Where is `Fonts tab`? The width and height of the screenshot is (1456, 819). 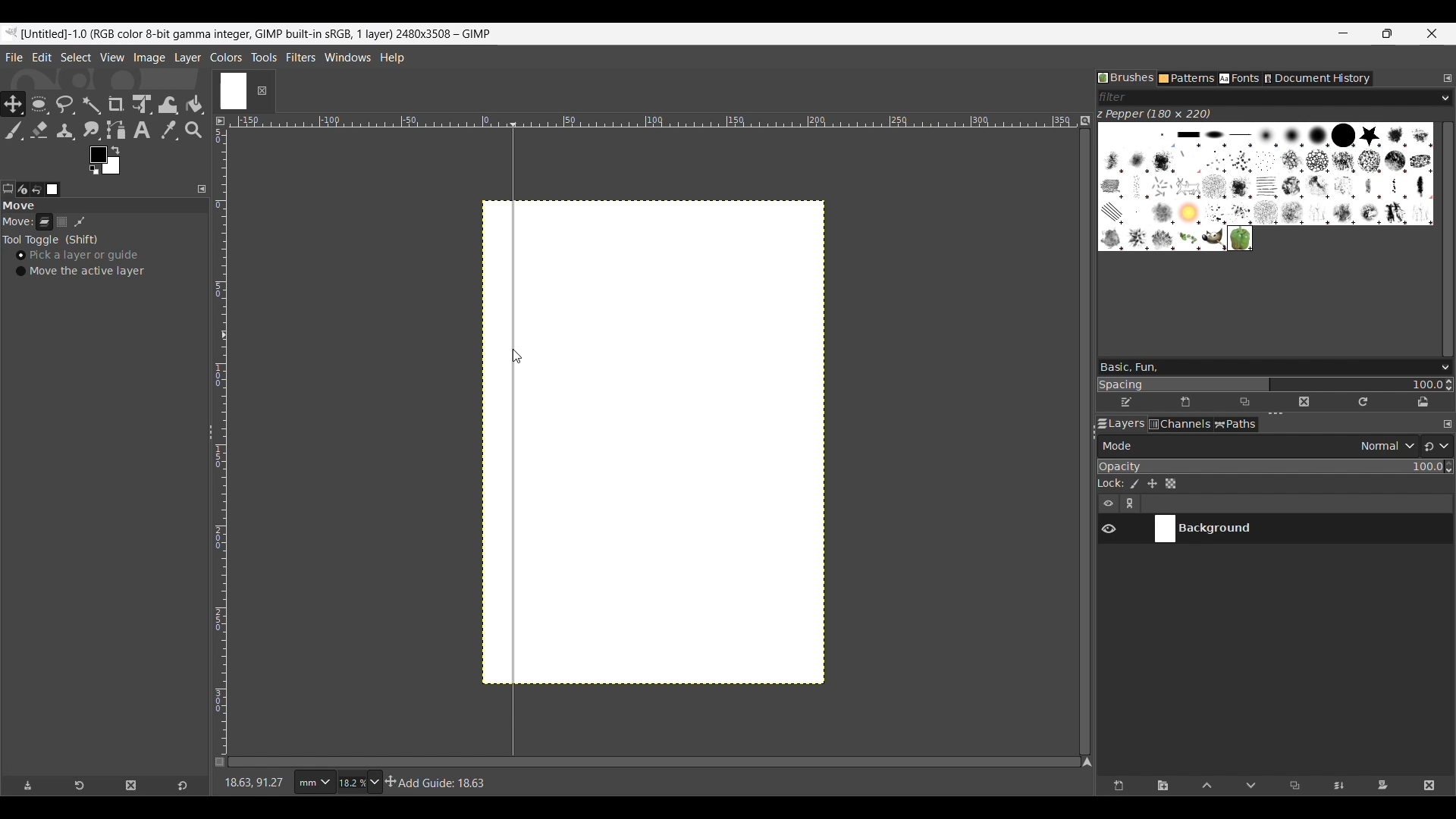
Fonts tab is located at coordinates (1239, 79).